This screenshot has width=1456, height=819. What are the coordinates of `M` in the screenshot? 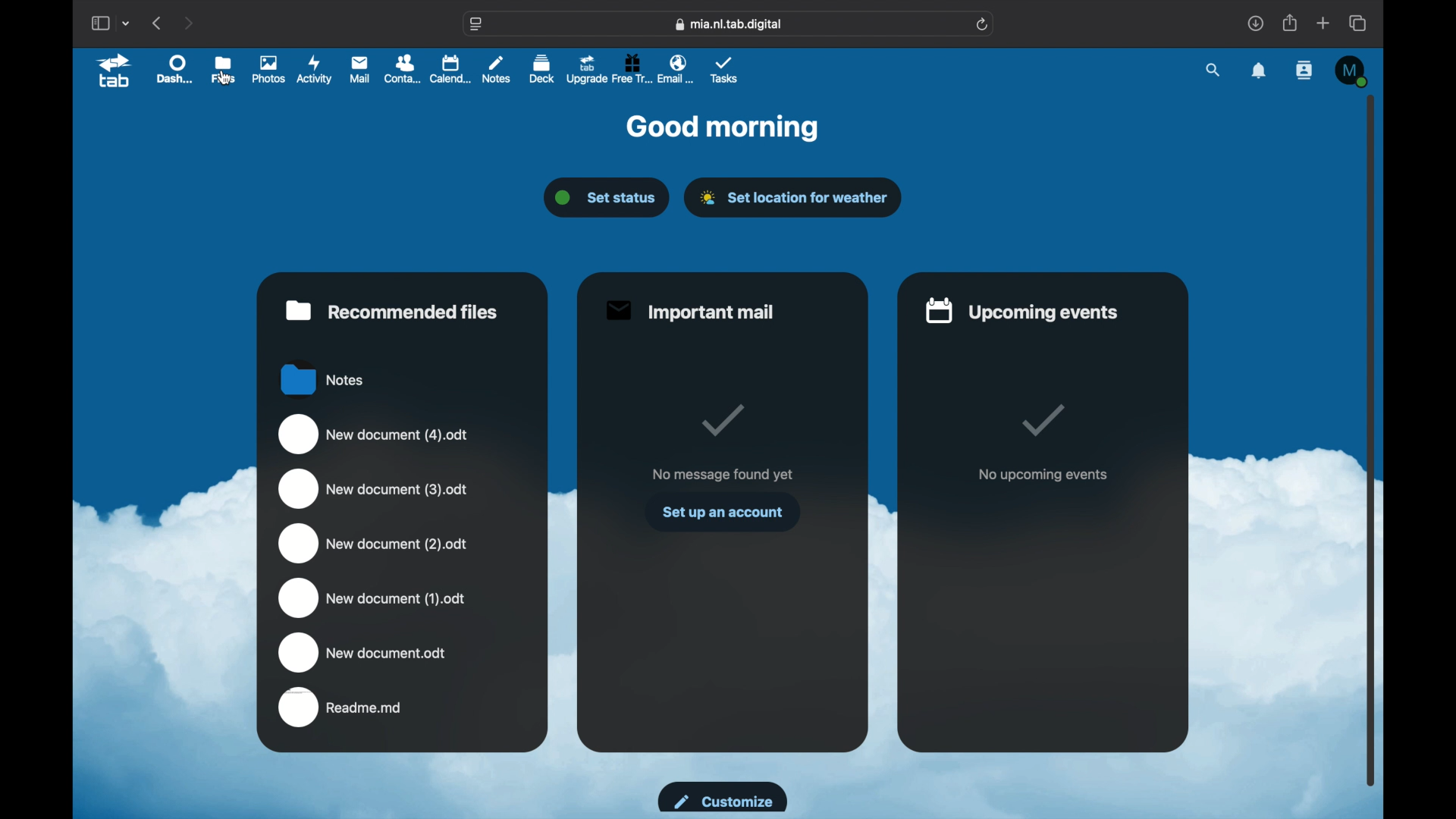 It's located at (1351, 71).